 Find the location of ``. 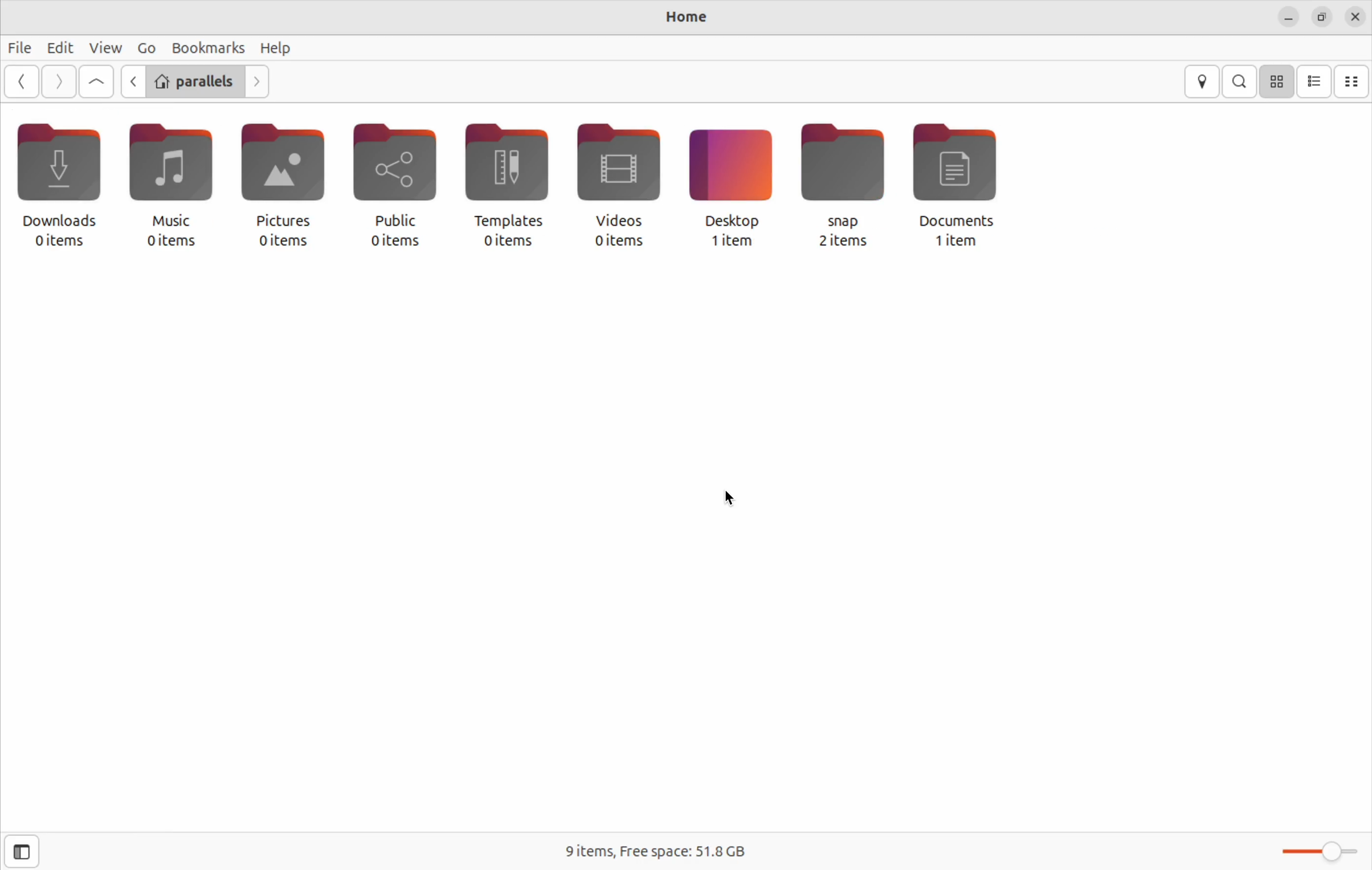

 is located at coordinates (146, 47).